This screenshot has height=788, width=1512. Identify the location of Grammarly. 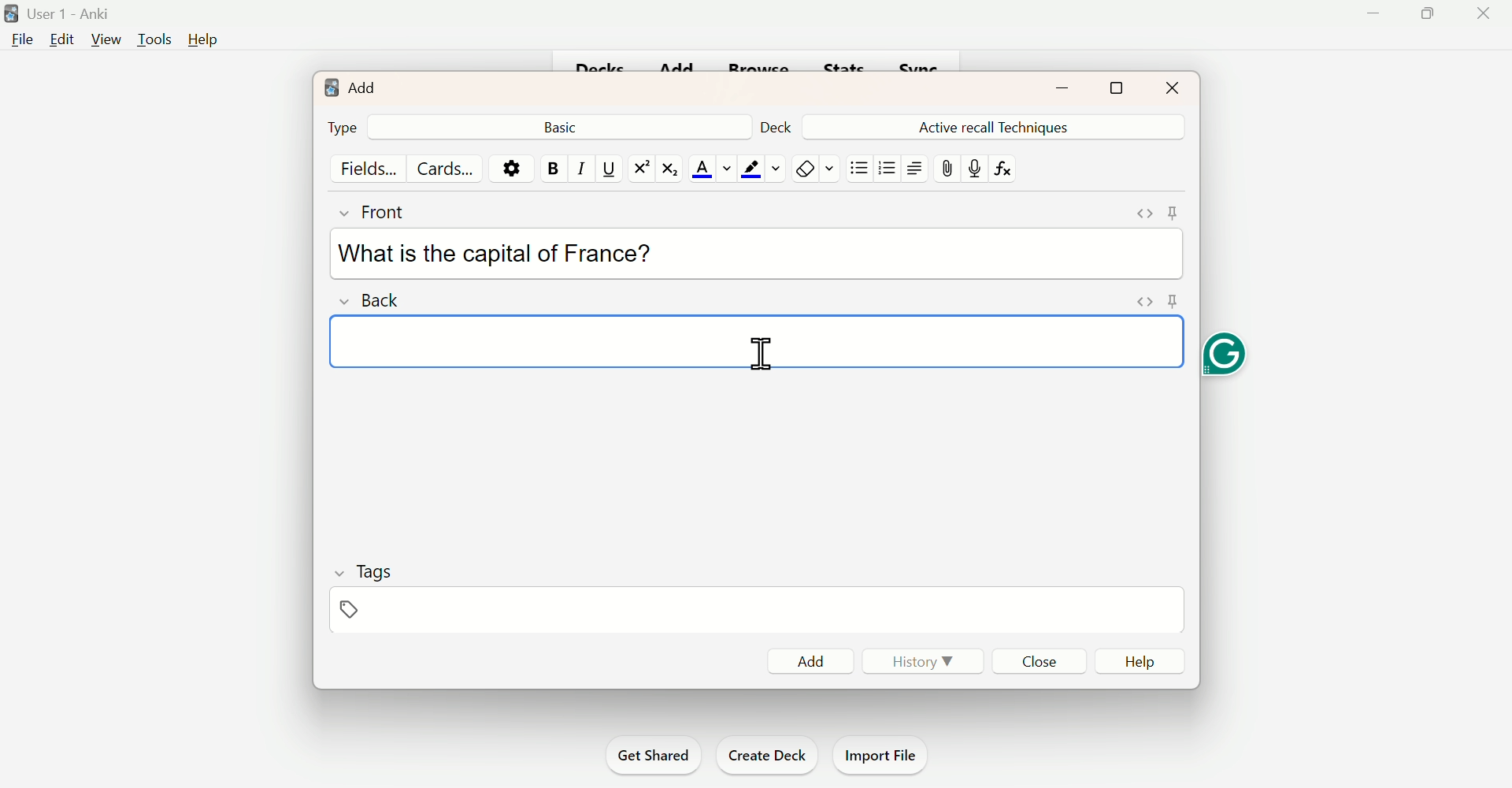
(1228, 359).